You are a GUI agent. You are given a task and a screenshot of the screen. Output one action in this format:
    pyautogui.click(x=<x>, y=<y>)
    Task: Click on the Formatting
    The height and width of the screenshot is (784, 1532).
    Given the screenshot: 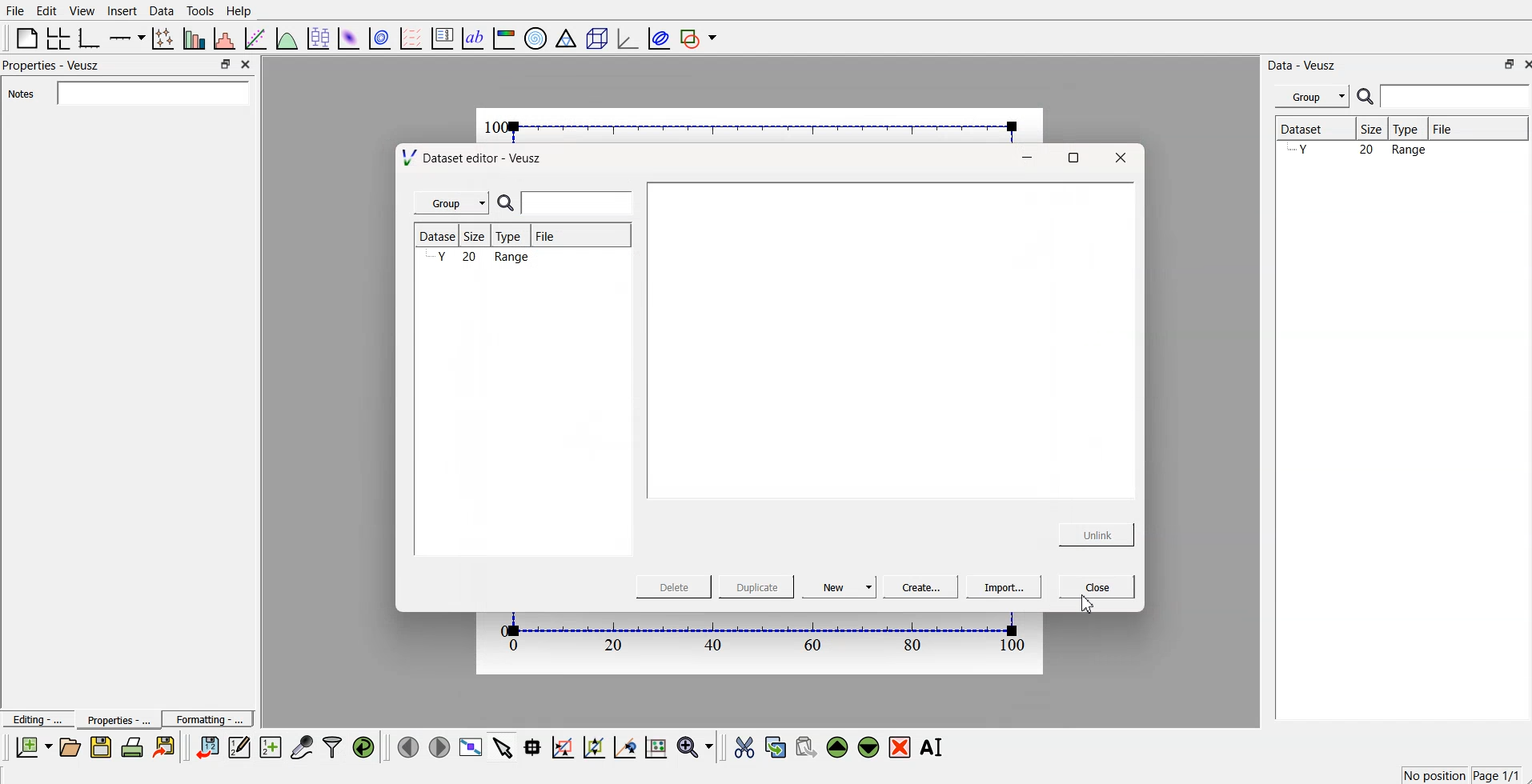 What is the action you would take?
    pyautogui.click(x=208, y=717)
    